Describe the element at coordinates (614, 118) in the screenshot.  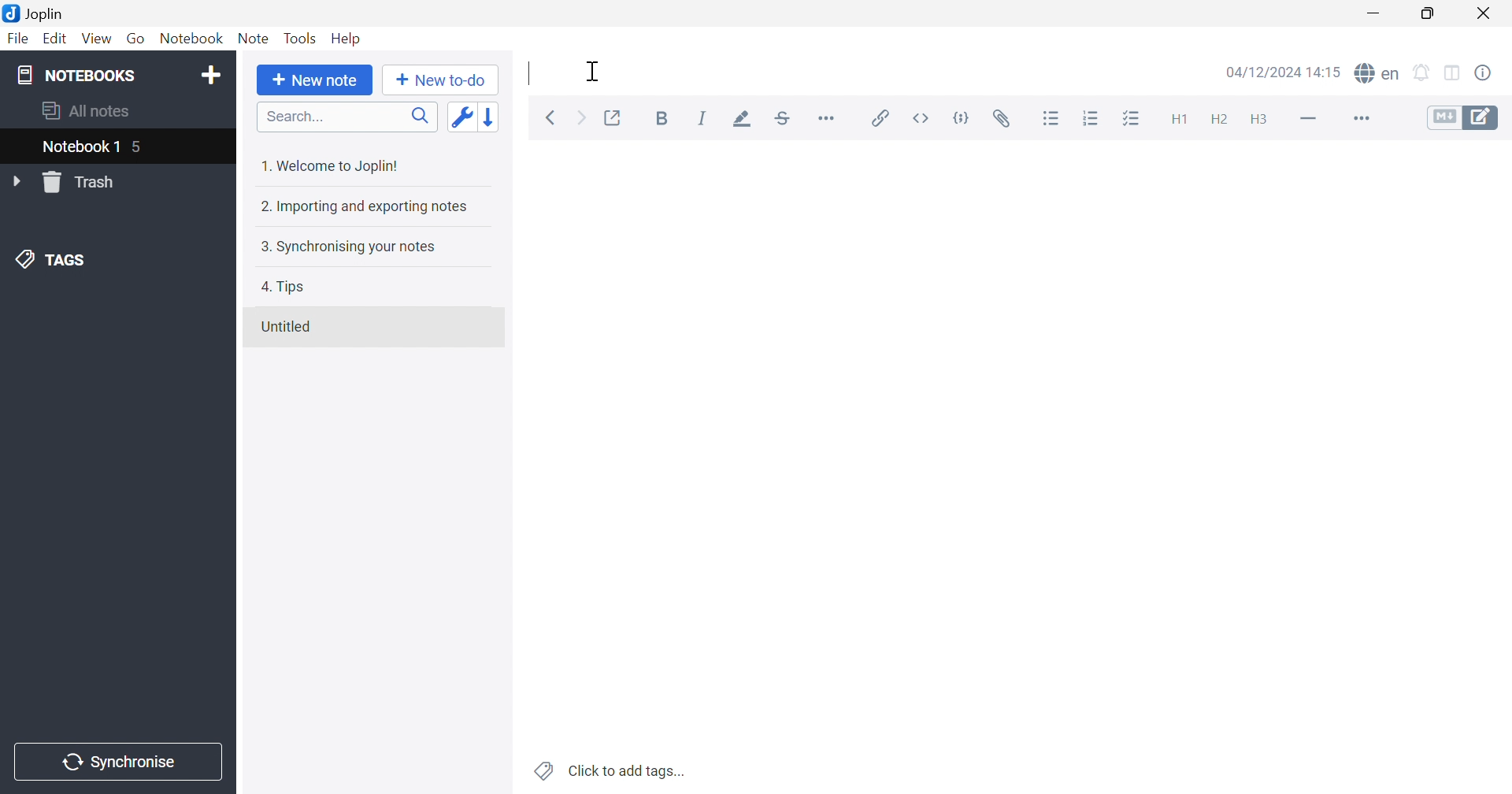
I see `Toggl external editing` at that location.